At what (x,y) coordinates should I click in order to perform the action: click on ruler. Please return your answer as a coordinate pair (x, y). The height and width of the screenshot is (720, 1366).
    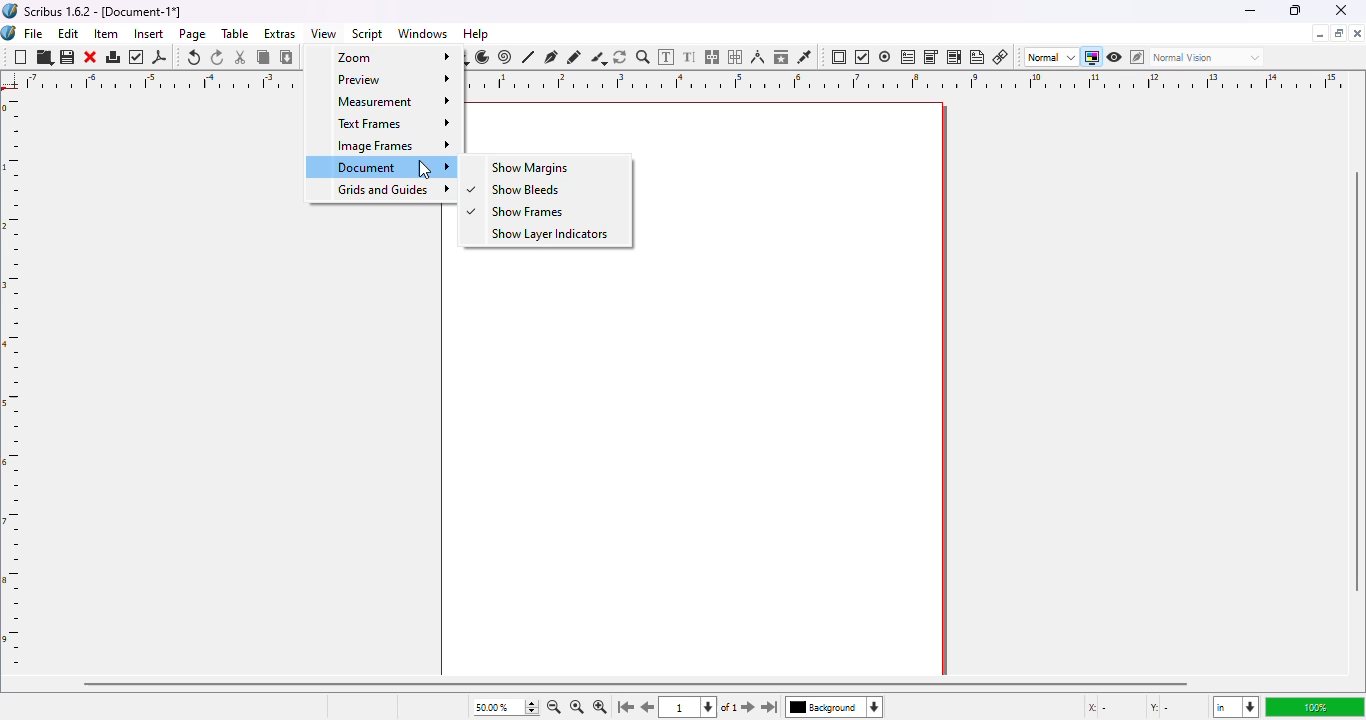
    Looking at the image, I should click on (15, 382).